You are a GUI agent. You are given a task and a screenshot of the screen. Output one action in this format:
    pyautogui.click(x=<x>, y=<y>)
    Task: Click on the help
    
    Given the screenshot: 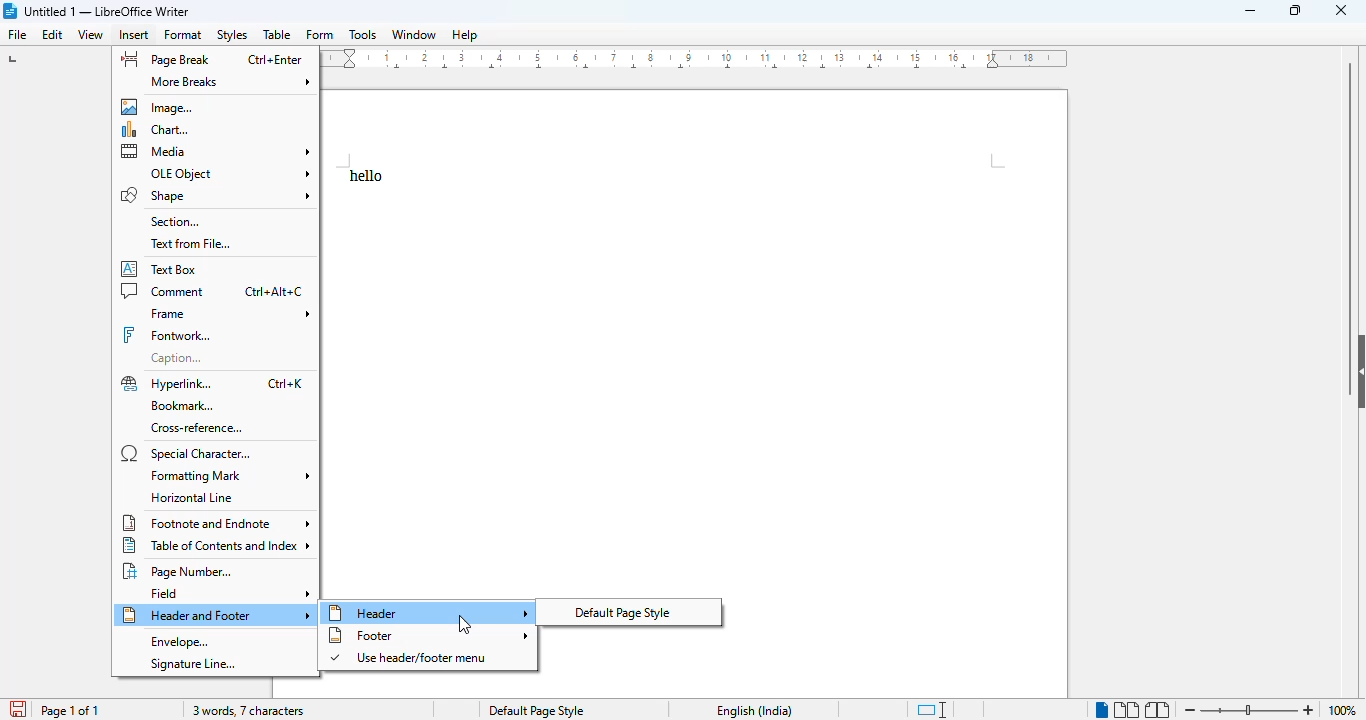 What is the action you would take?
    pyautogui.click(x=466, y=35)
    